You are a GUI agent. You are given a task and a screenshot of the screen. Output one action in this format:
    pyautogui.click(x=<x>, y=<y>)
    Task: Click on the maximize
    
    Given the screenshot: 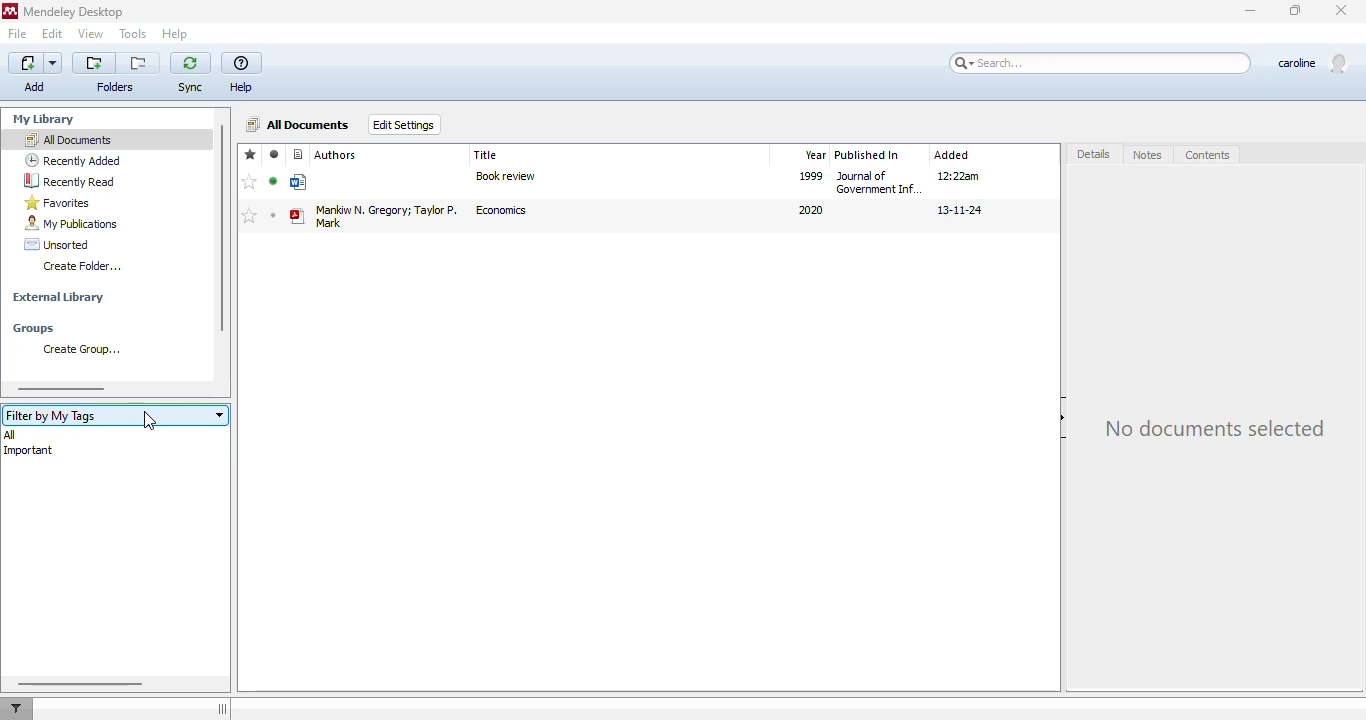 What is the action you would take?
    pyautogui.click(x=1295, y=10)
    